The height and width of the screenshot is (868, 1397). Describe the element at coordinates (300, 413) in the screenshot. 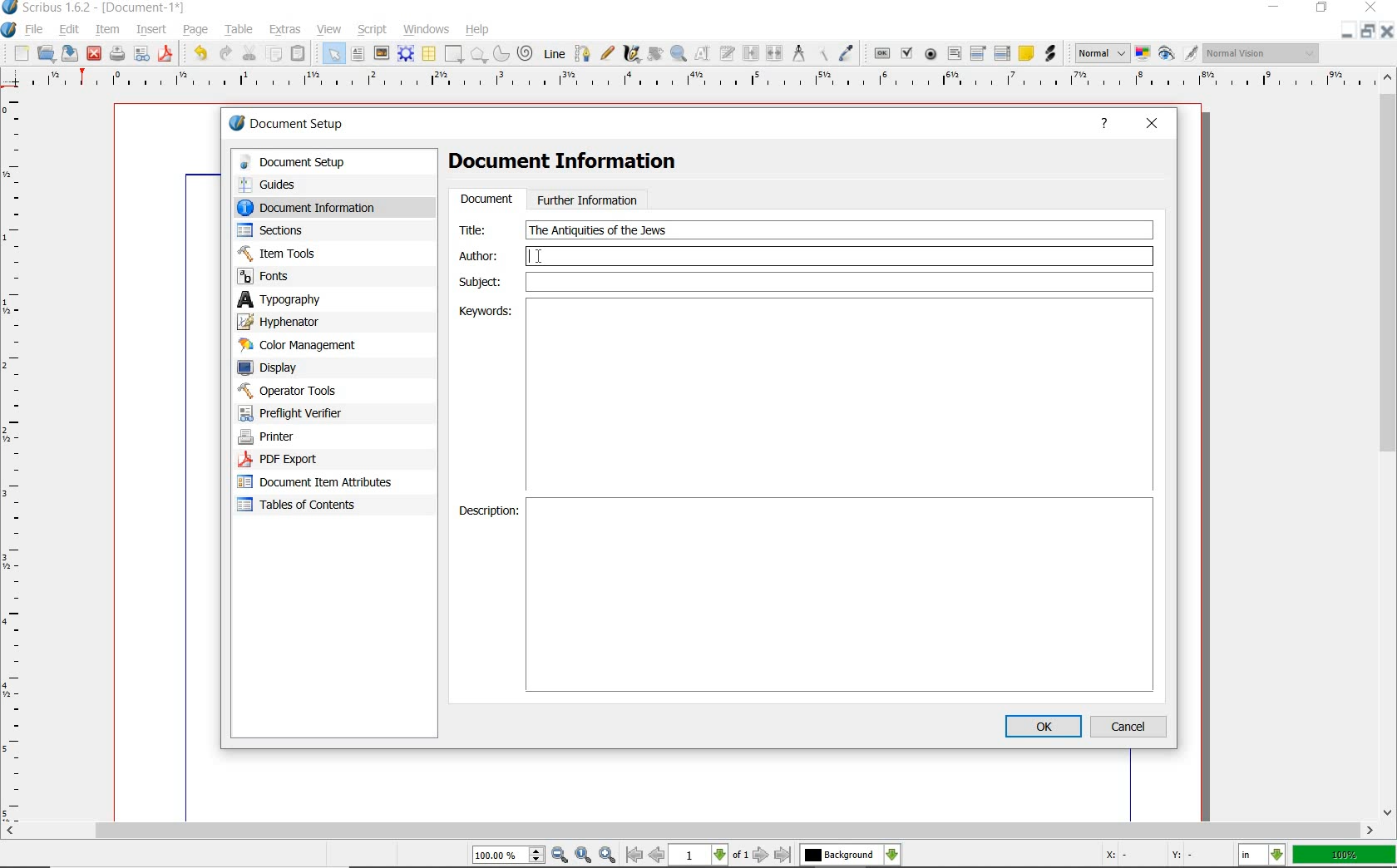

I see `preflight verifier` at that location.